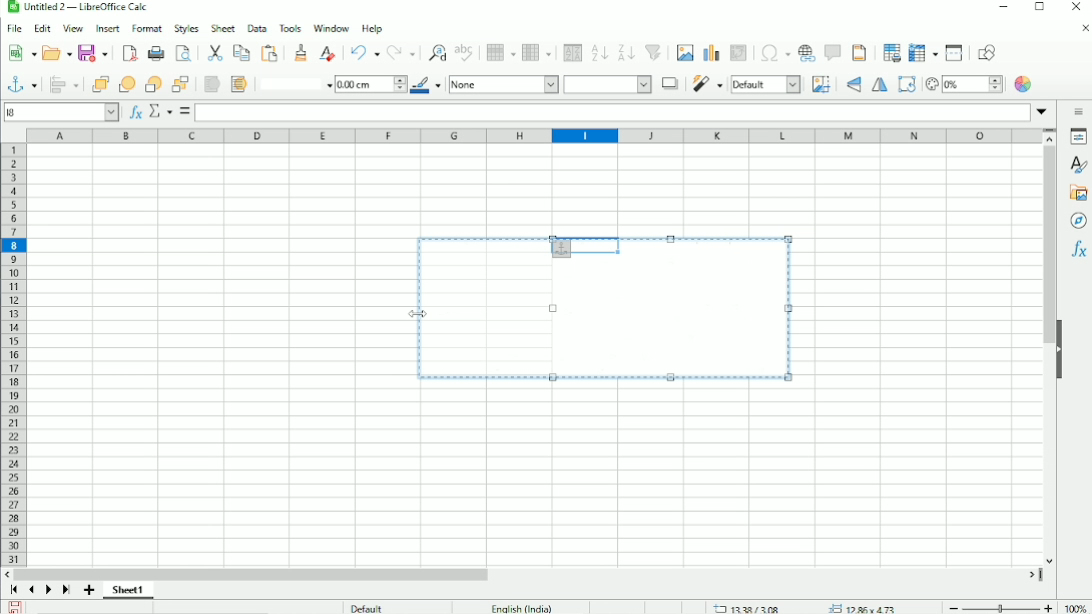 The width and height of the screenshot is (1092, 614). What do you see at coordinates (1001, 8) in the screenshot?
I see `Minimize` at bounding box center [1001, 8].